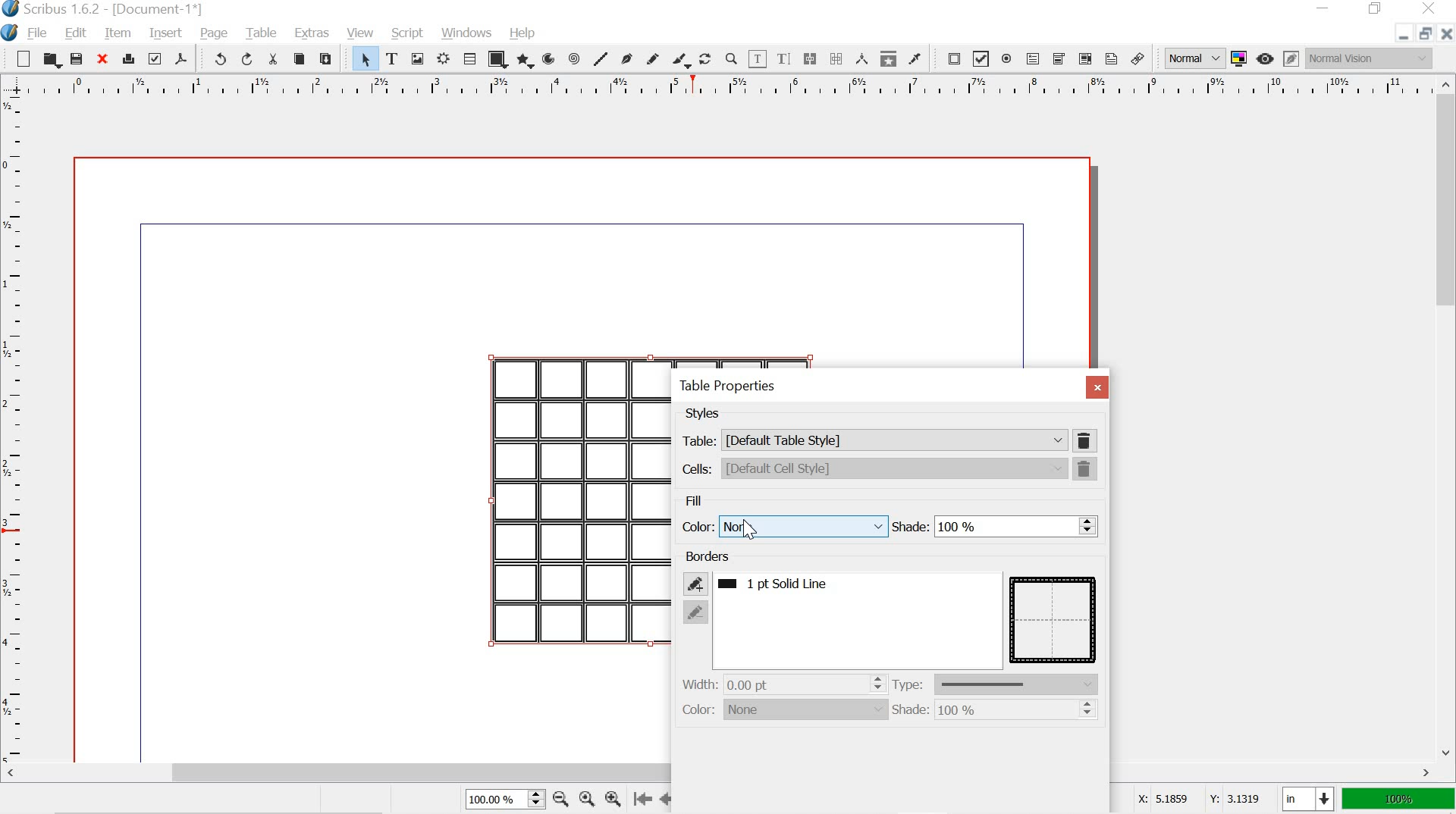  I want to click on zoom in or zoom out, so click(730, 58).